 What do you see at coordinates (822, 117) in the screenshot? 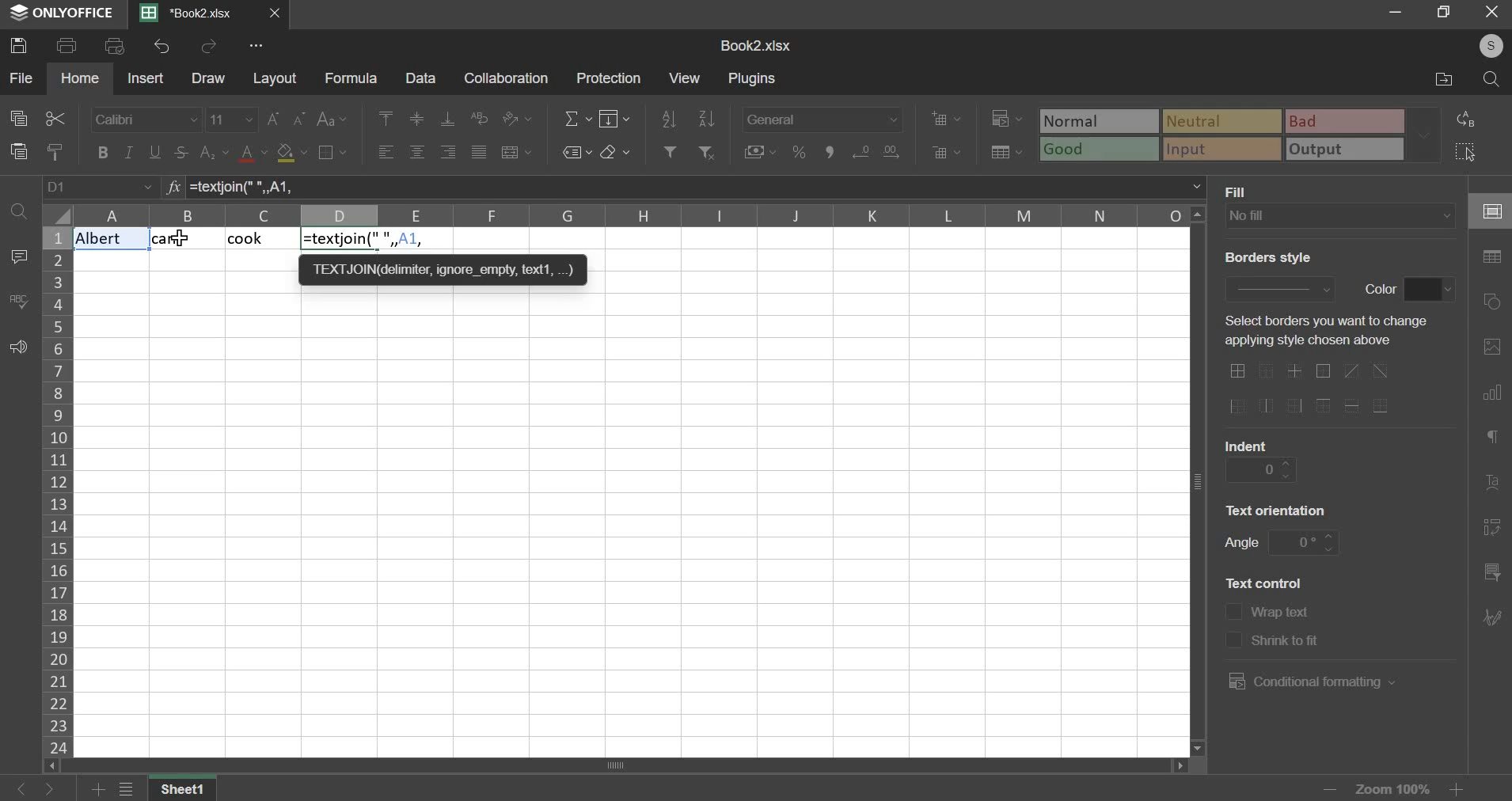
I see `number format` at bounding box center [822, 117].